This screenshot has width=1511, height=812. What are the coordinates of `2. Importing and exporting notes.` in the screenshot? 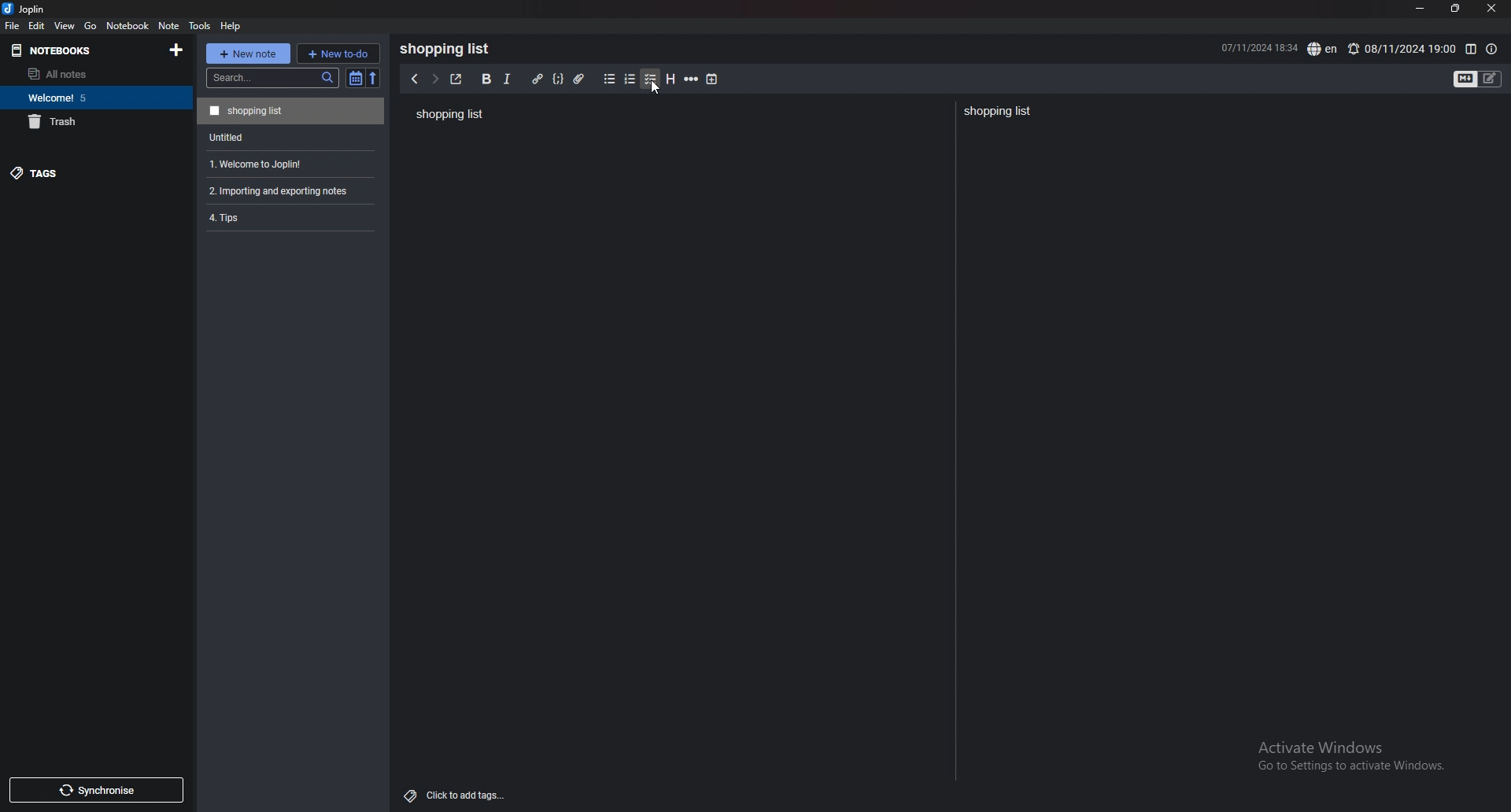 It's located at (289, 189).